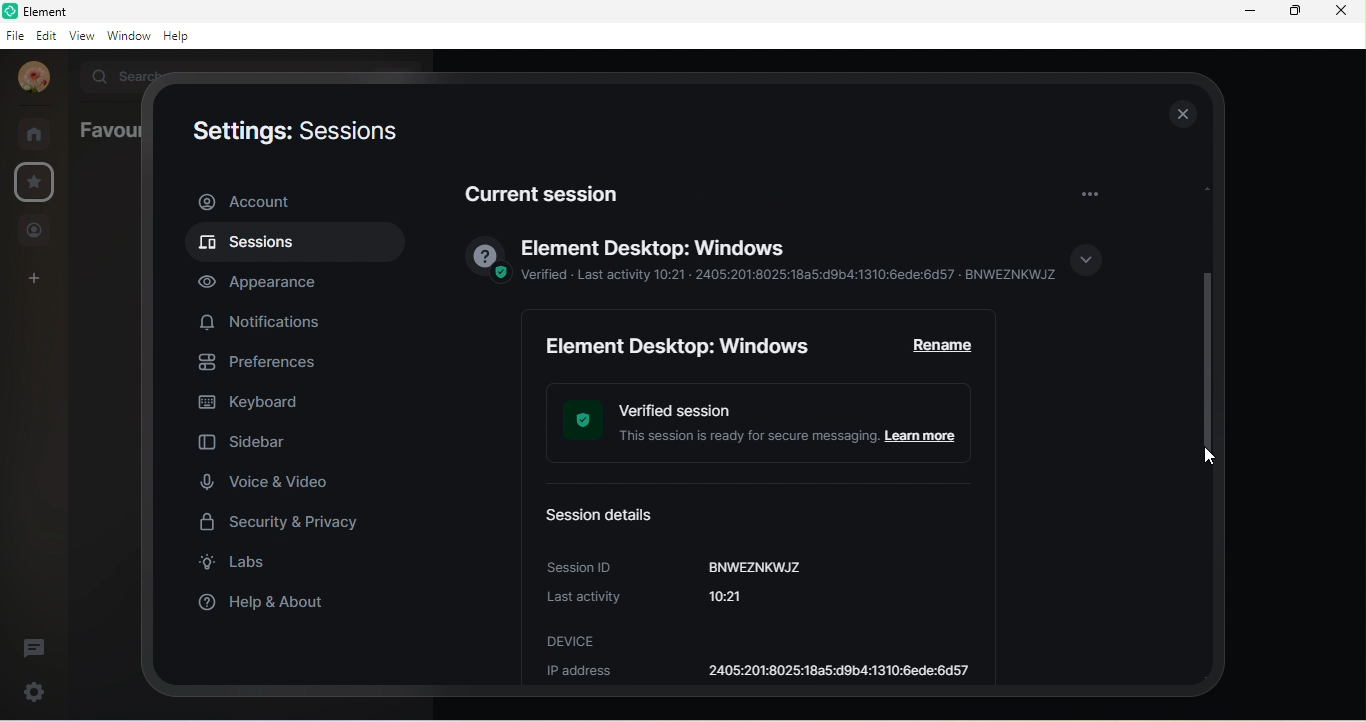  What do you see at coordinates (76, 11) in the screenshot?
I see `element b room` at bounding box center [76, 11].